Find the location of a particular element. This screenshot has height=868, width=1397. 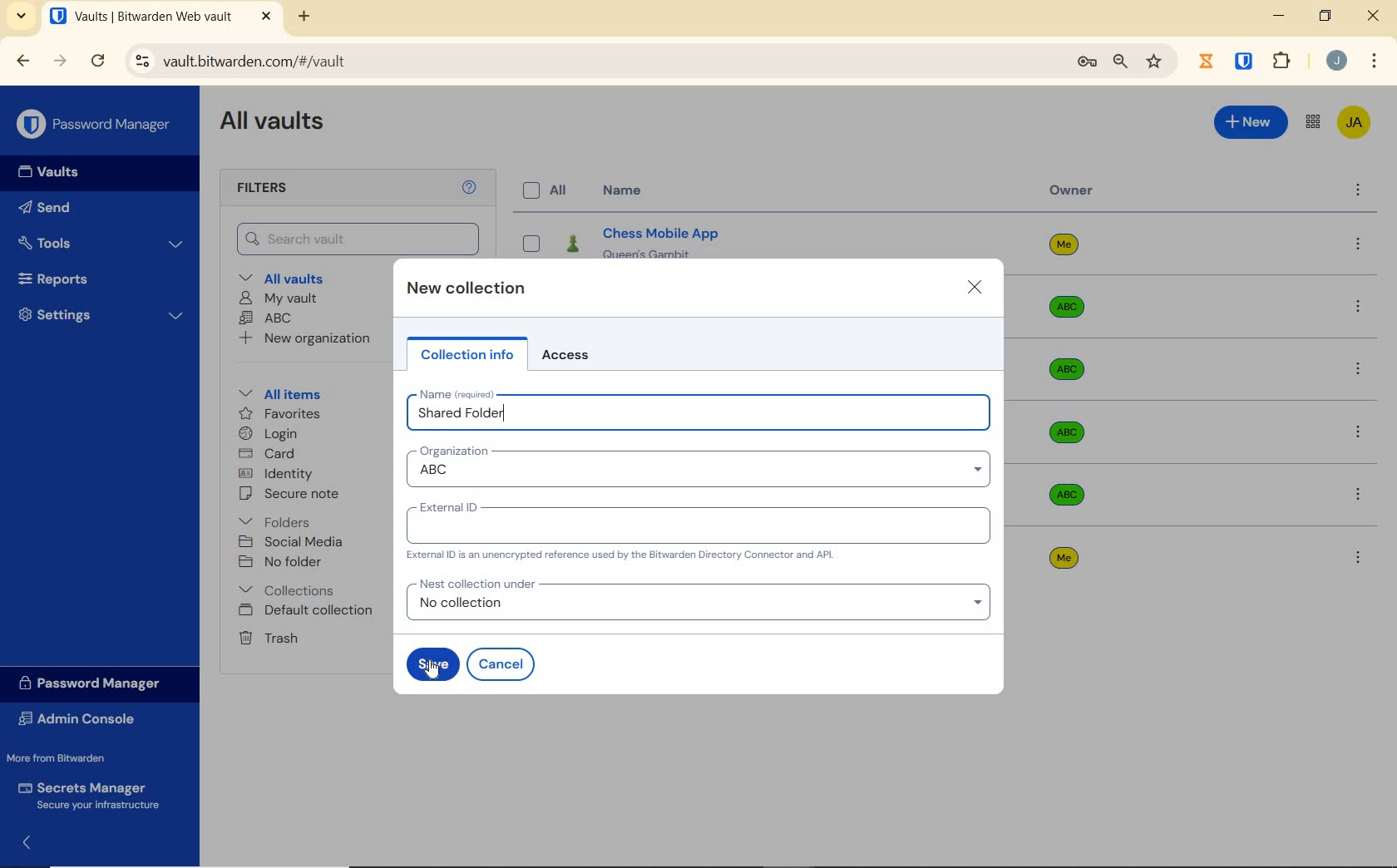

Default collection is located at coordinates (311, 610).